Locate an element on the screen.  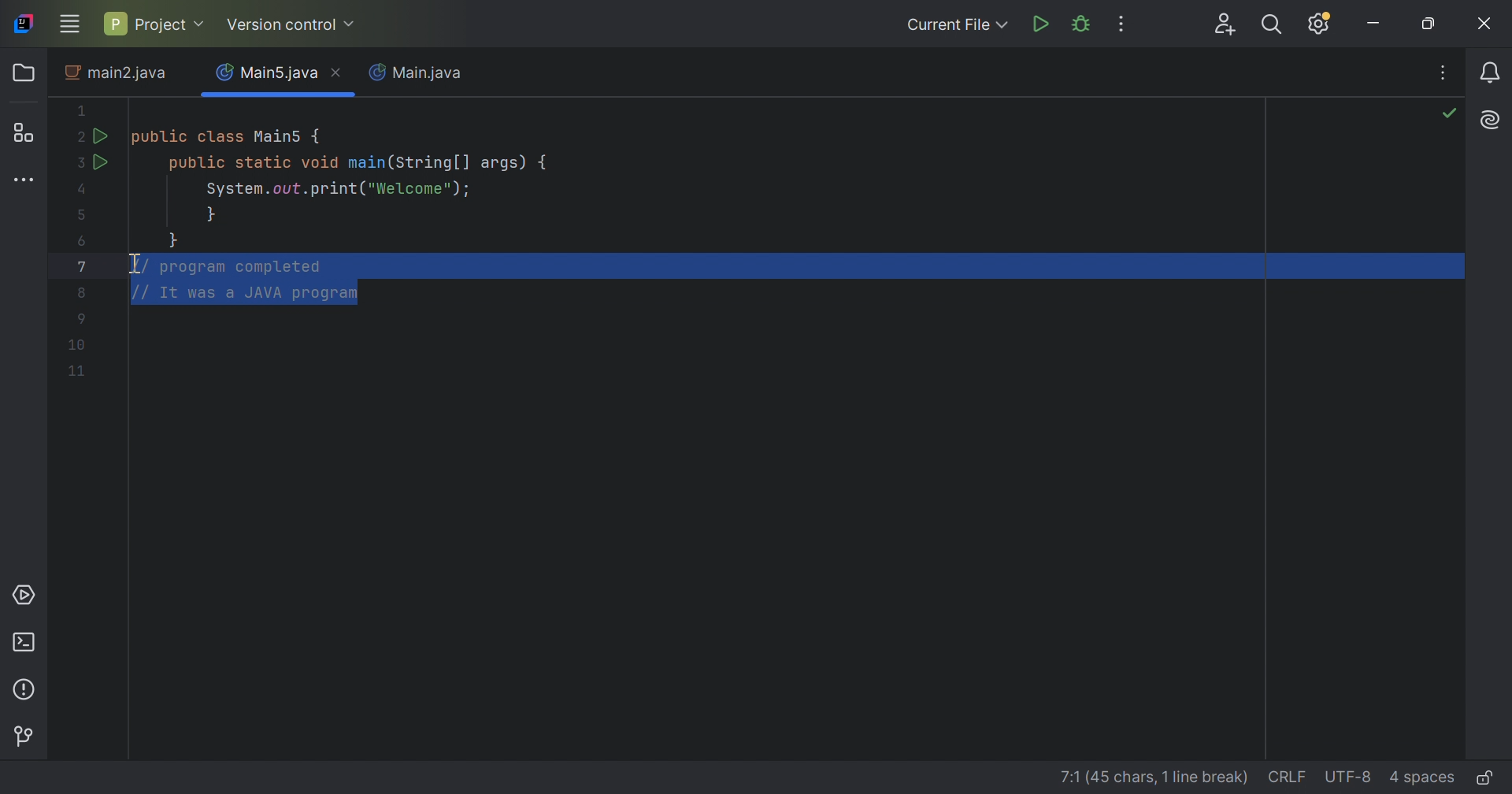
Main menu is located at coordinates (70, 24).